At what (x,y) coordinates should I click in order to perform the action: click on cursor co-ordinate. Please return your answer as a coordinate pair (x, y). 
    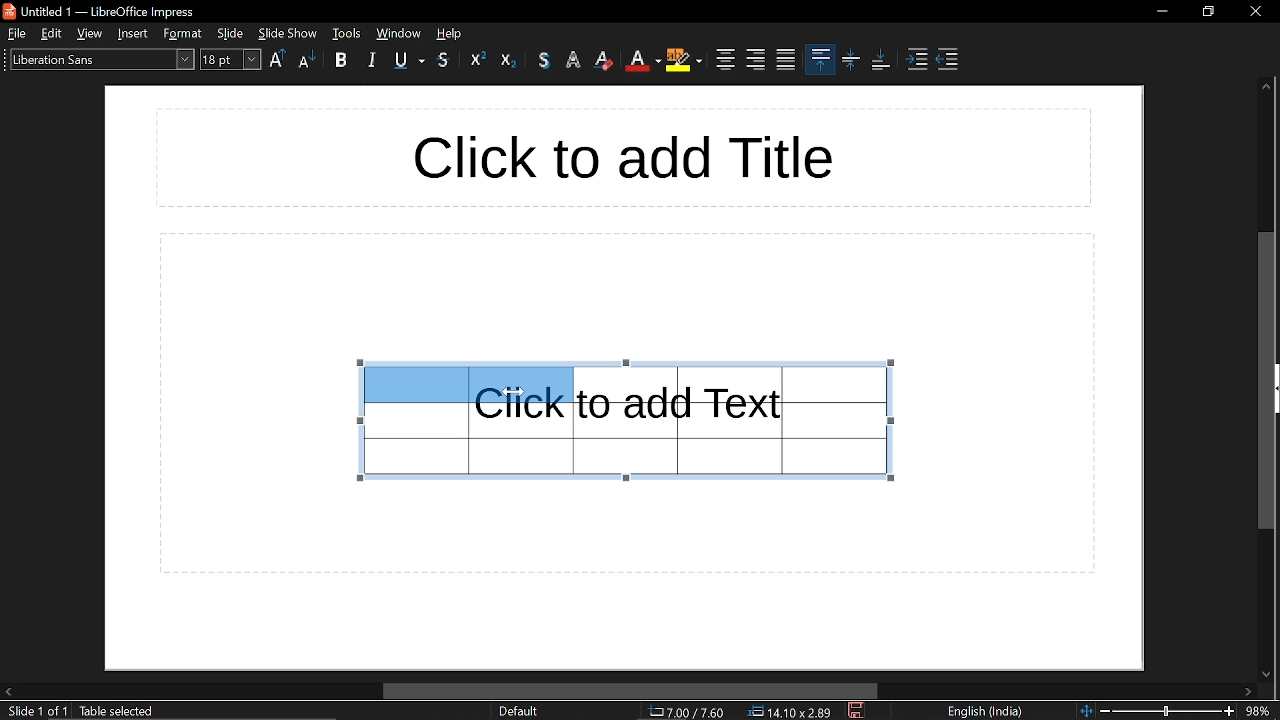
    Looking at the image, I should click on (686, 712).